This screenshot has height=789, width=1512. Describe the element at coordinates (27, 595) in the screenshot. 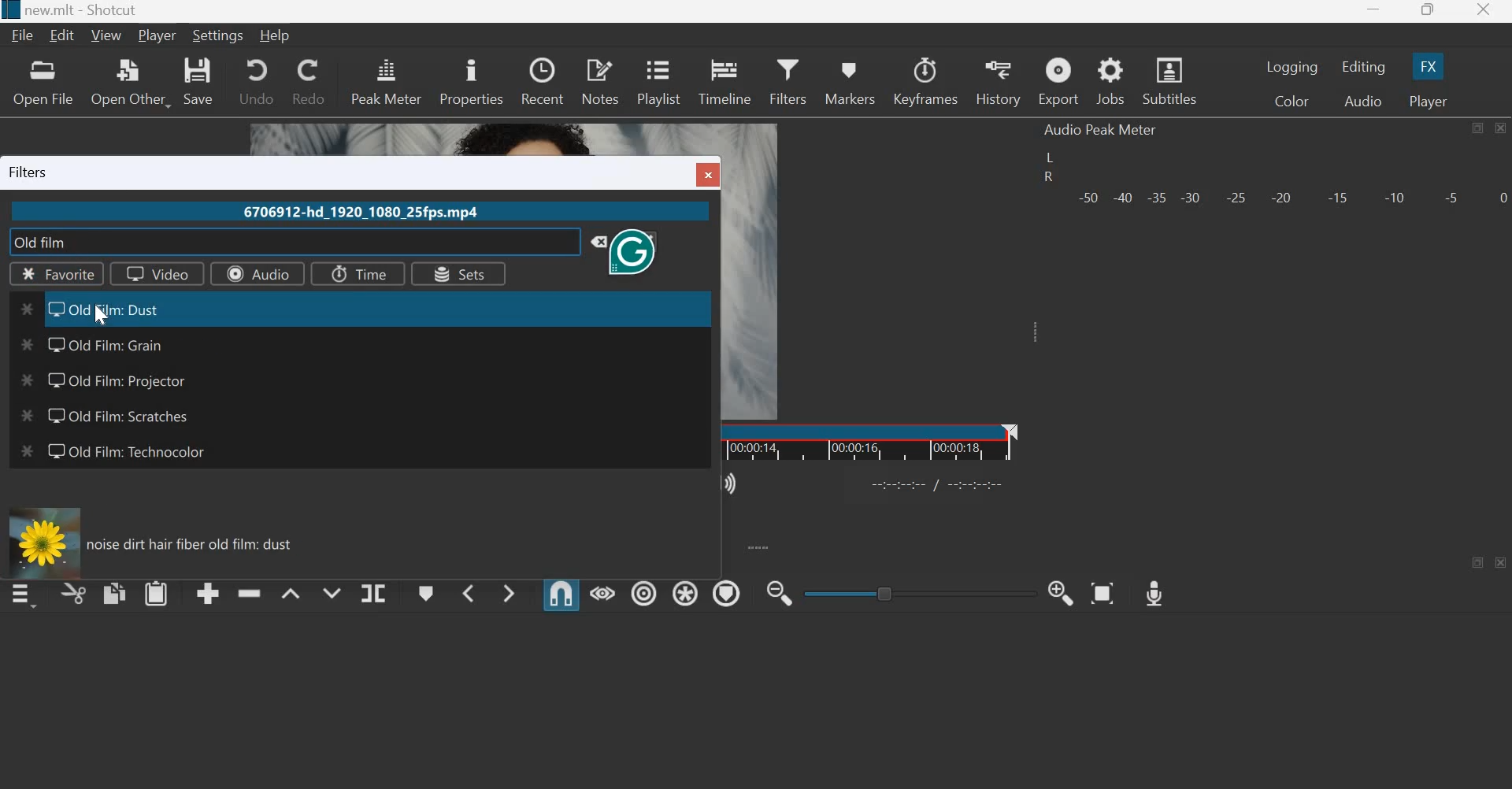

I see `timeline menu` at that location.